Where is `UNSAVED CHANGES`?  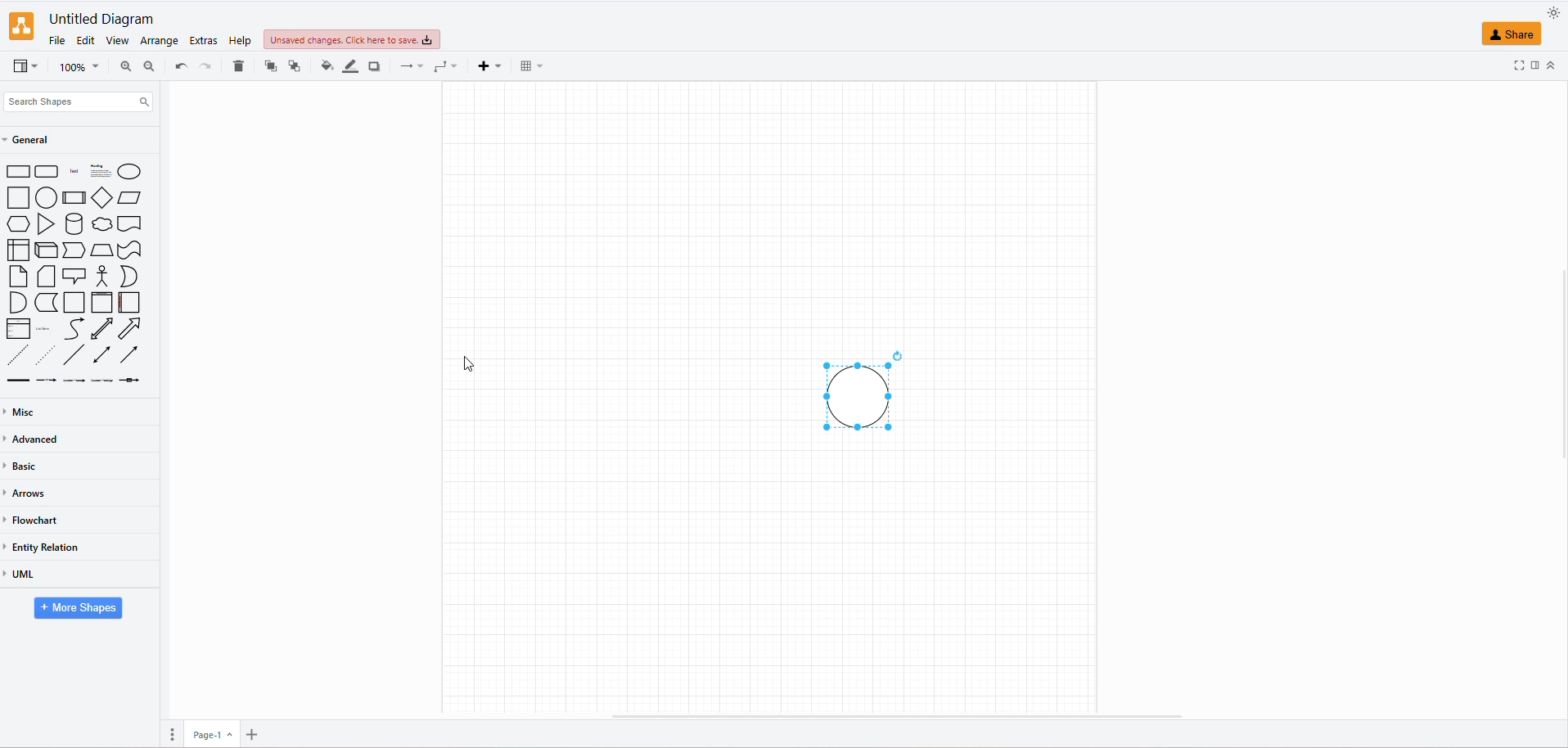
UNSAVED CHANGES is located at coordinates (369, 40).